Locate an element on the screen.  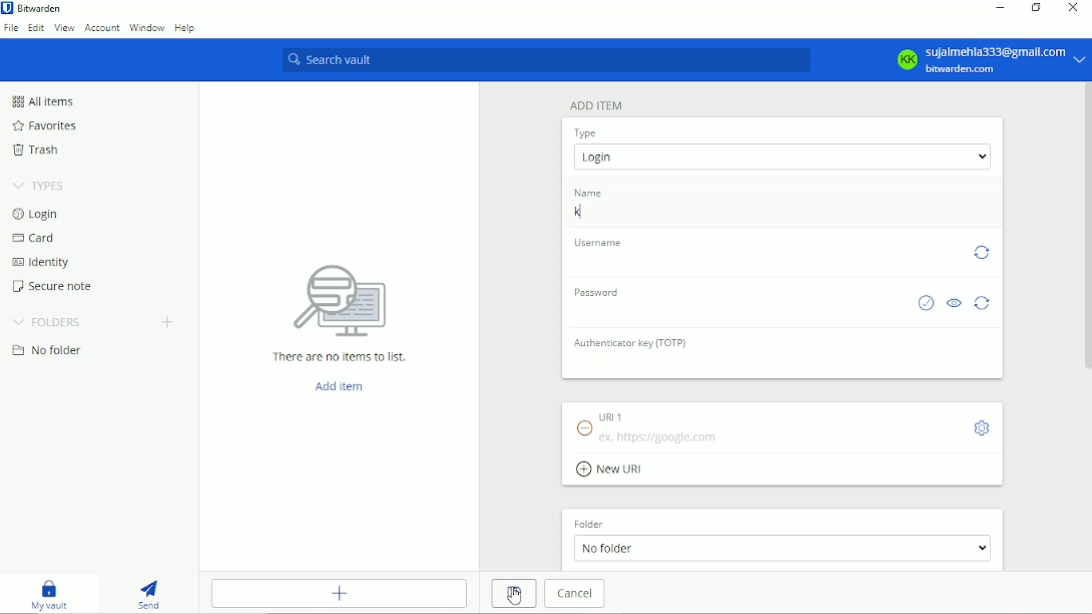
Edit is located at coordinates (35, 30).